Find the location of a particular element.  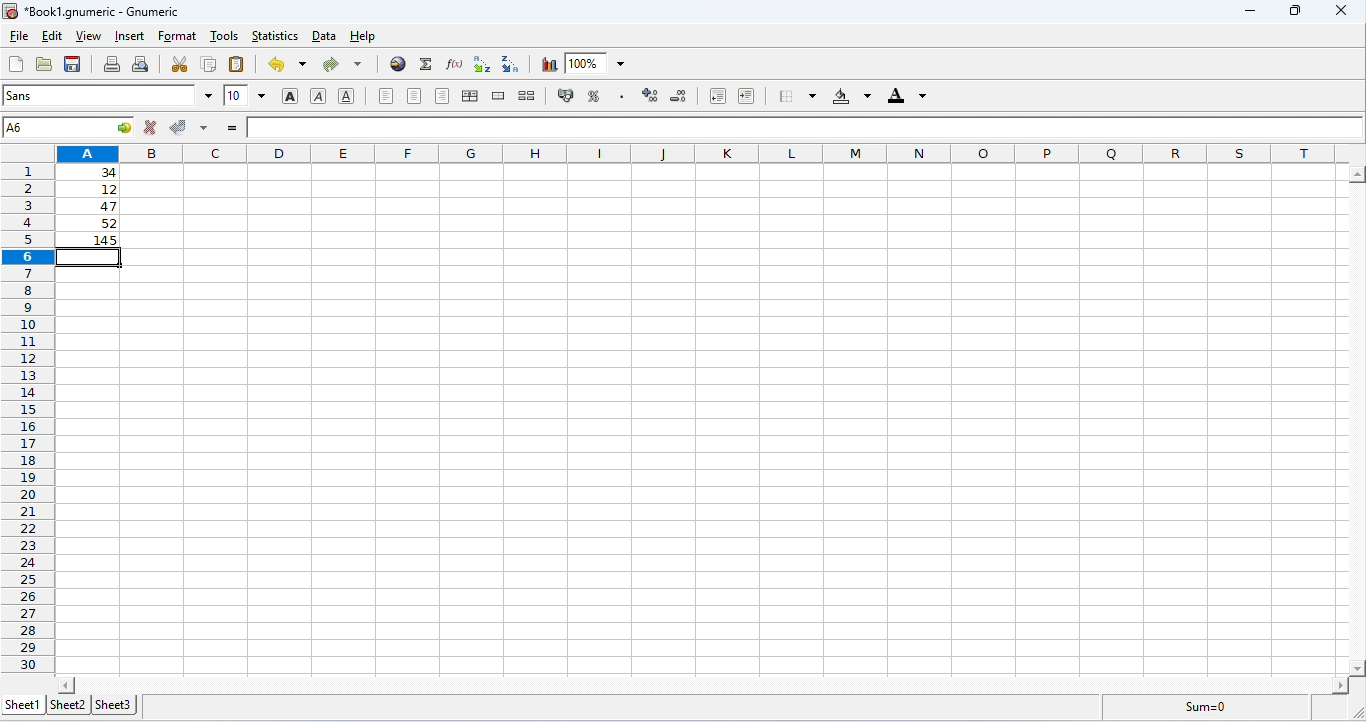

undo is located at coordinates (287, 64).